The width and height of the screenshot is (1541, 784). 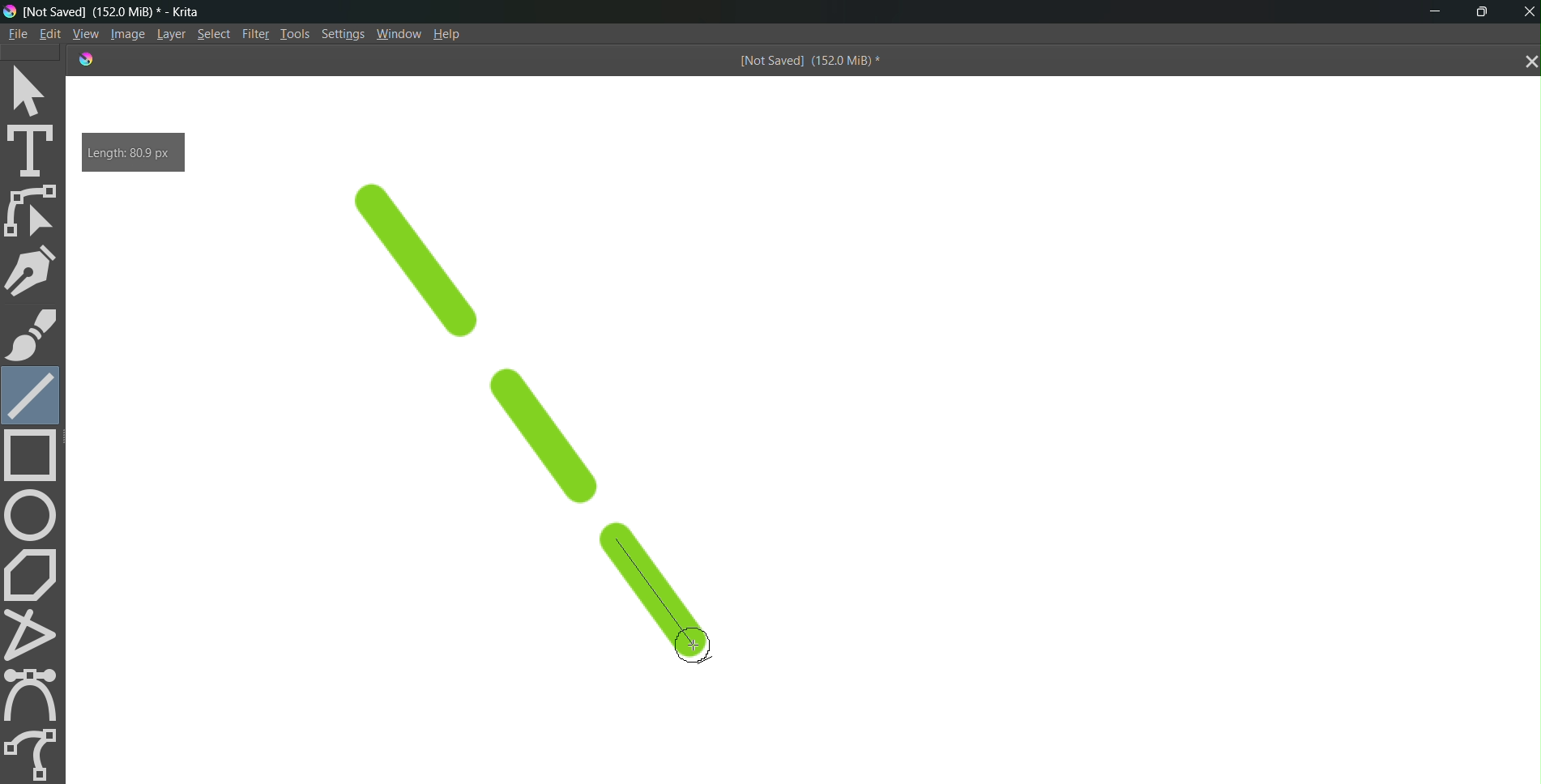 I want to click on Length, so click(x=142, y=153).